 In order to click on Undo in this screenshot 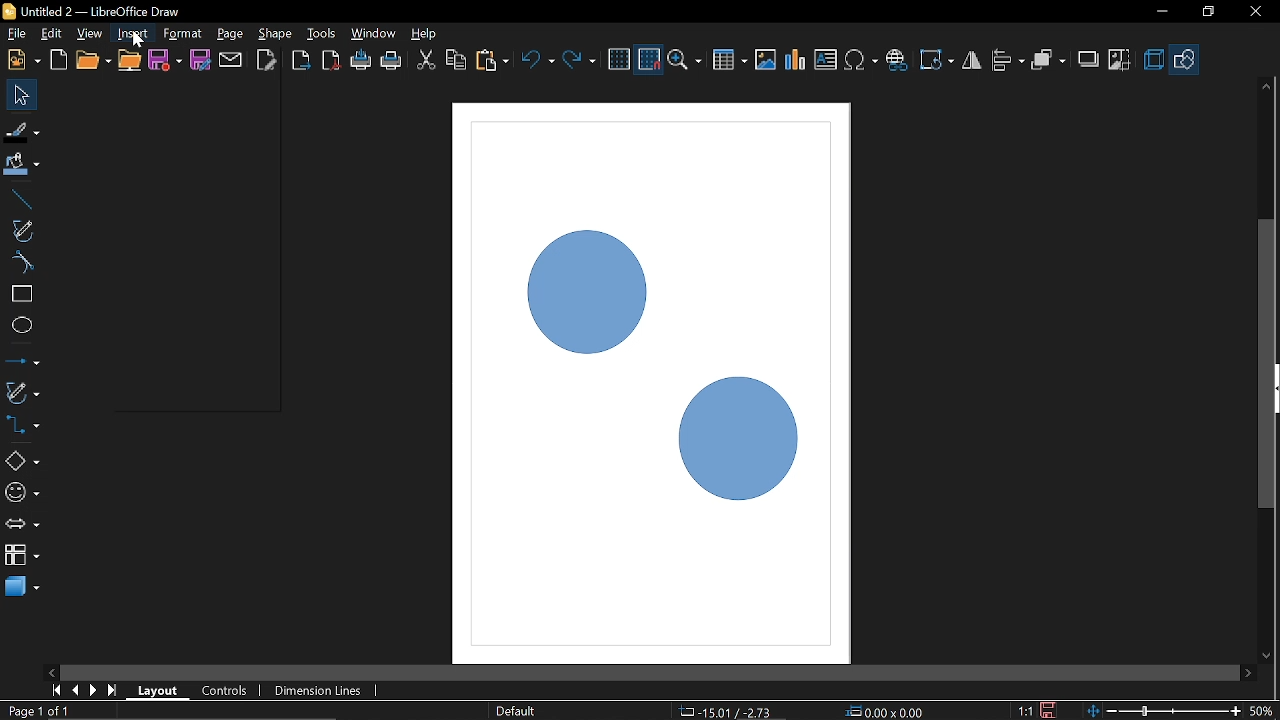, I will do `click(539, 62)`.